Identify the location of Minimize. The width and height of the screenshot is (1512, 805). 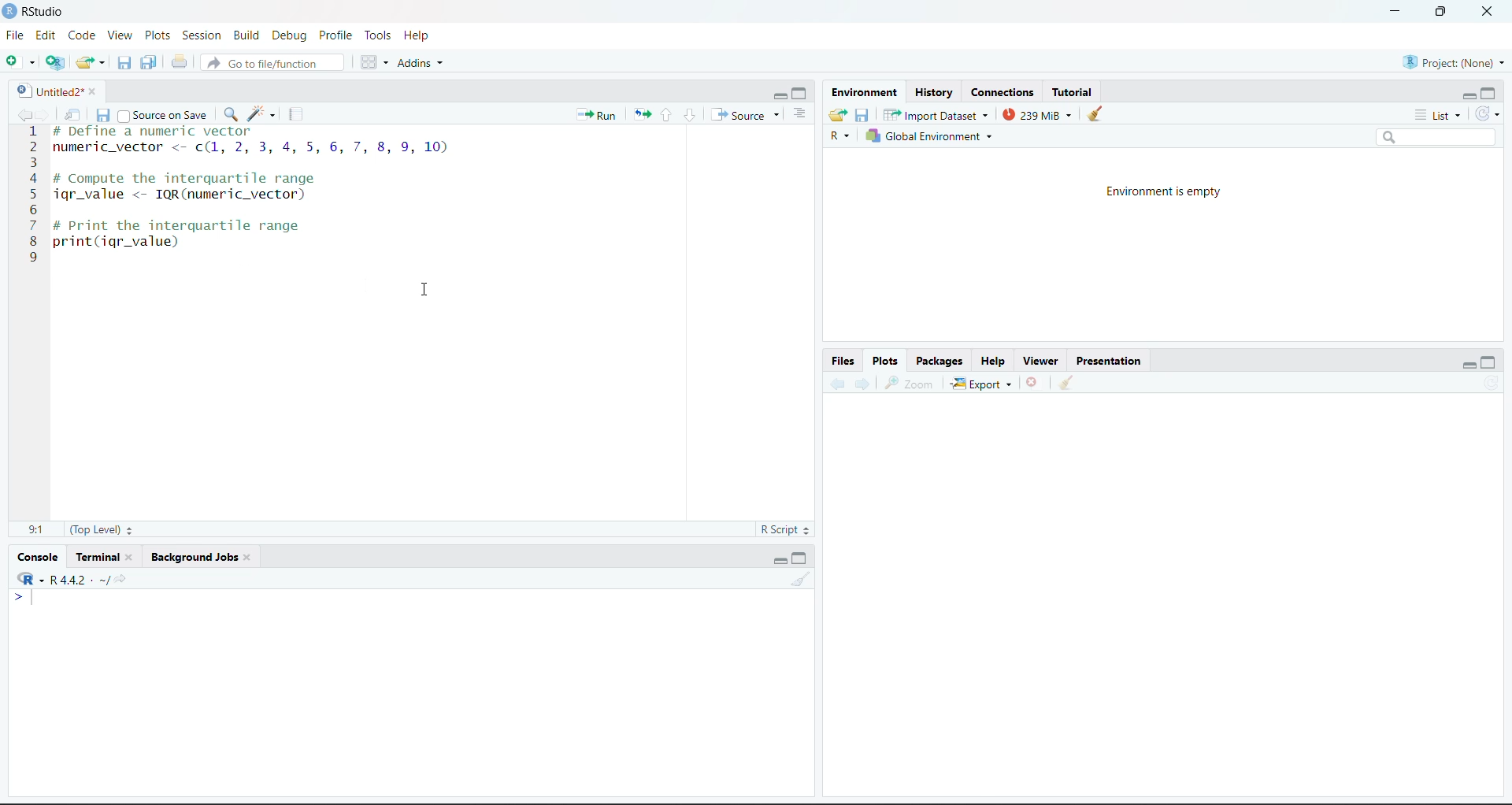
(1468, 365).